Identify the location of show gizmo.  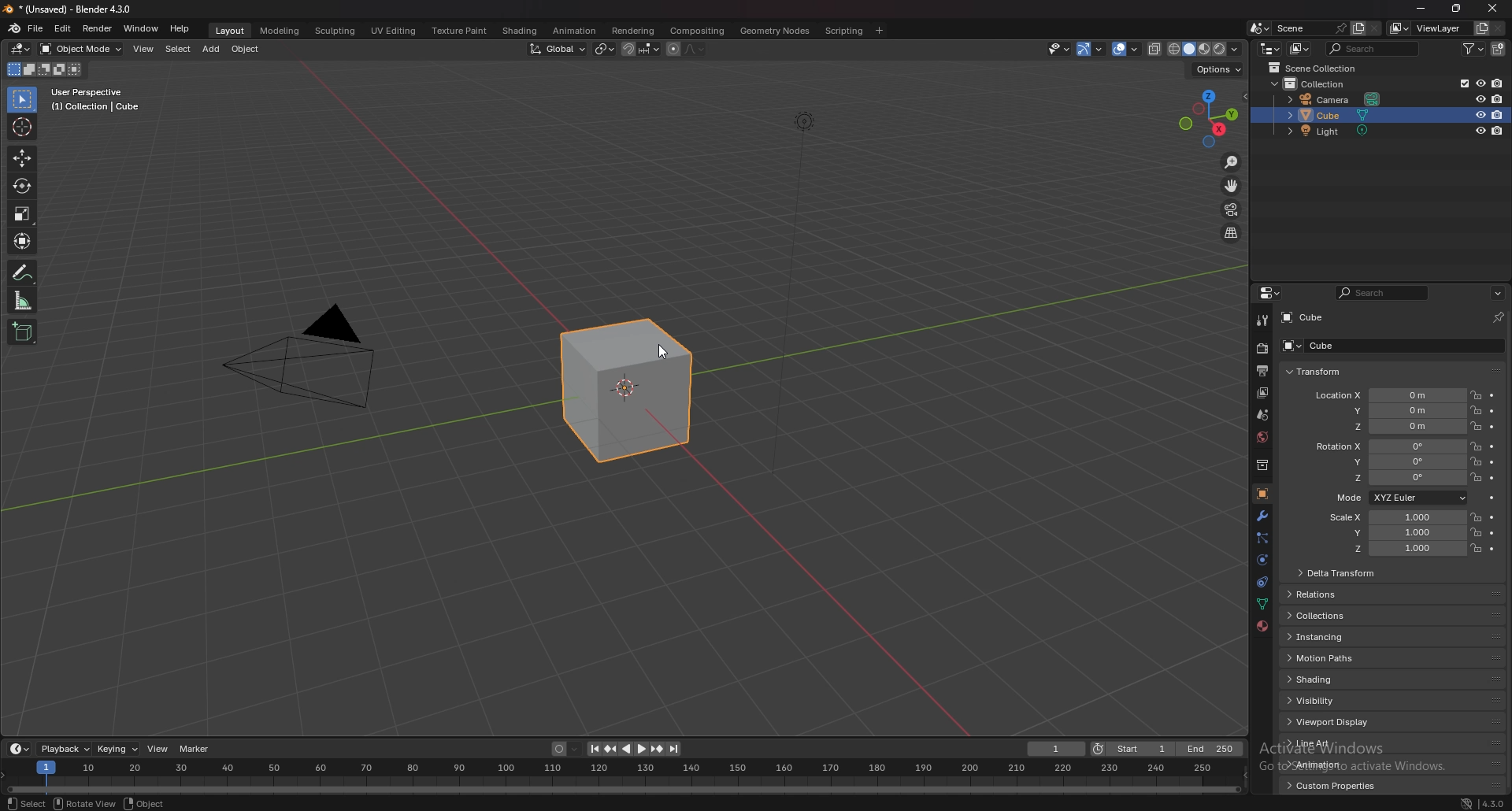
(1092, 49).